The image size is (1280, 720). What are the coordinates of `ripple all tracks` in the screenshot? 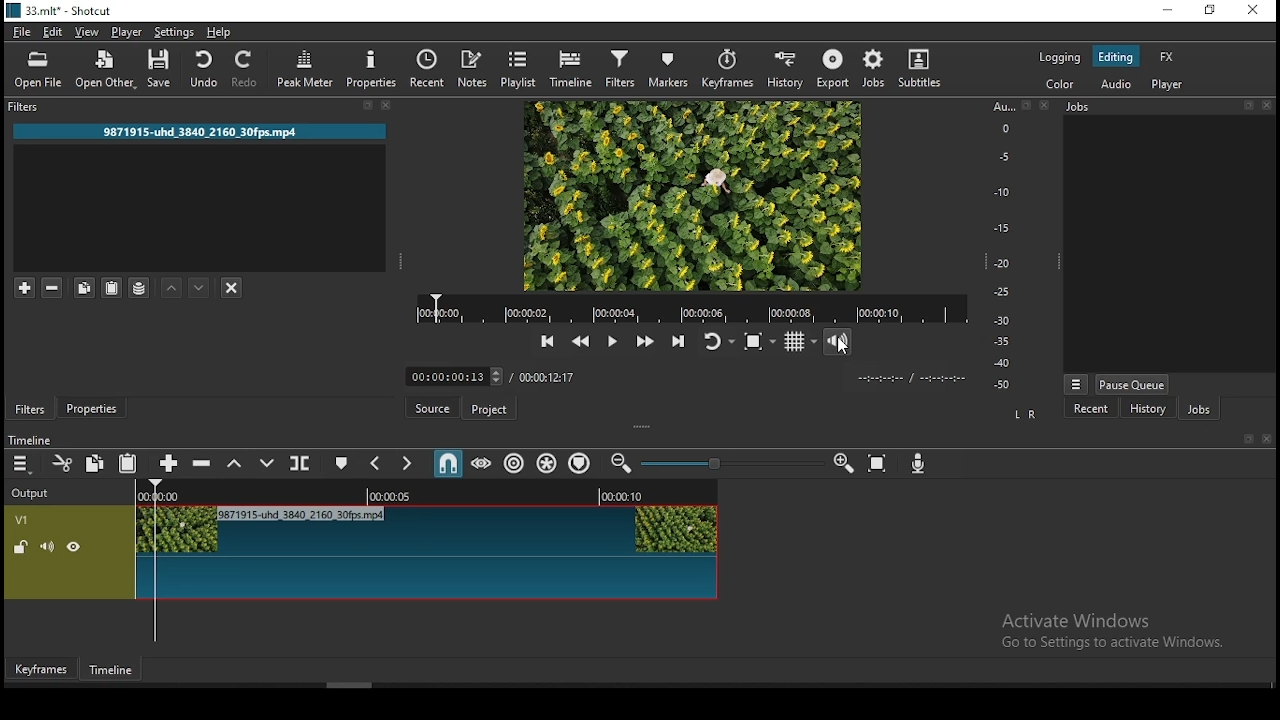 It's located at (546, 463).